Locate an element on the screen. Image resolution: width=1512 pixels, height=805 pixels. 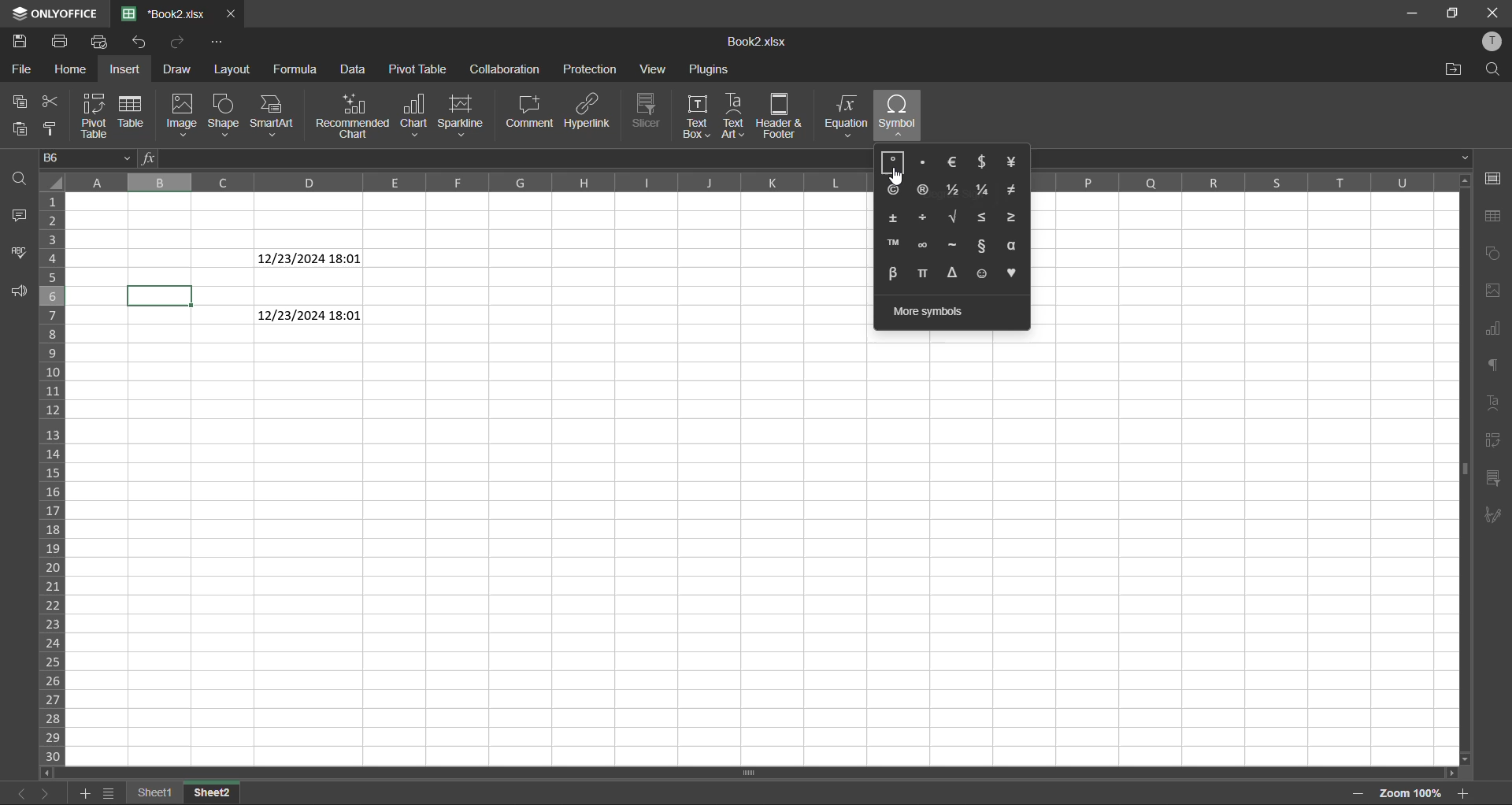
close is located at coordinates (232, 13).